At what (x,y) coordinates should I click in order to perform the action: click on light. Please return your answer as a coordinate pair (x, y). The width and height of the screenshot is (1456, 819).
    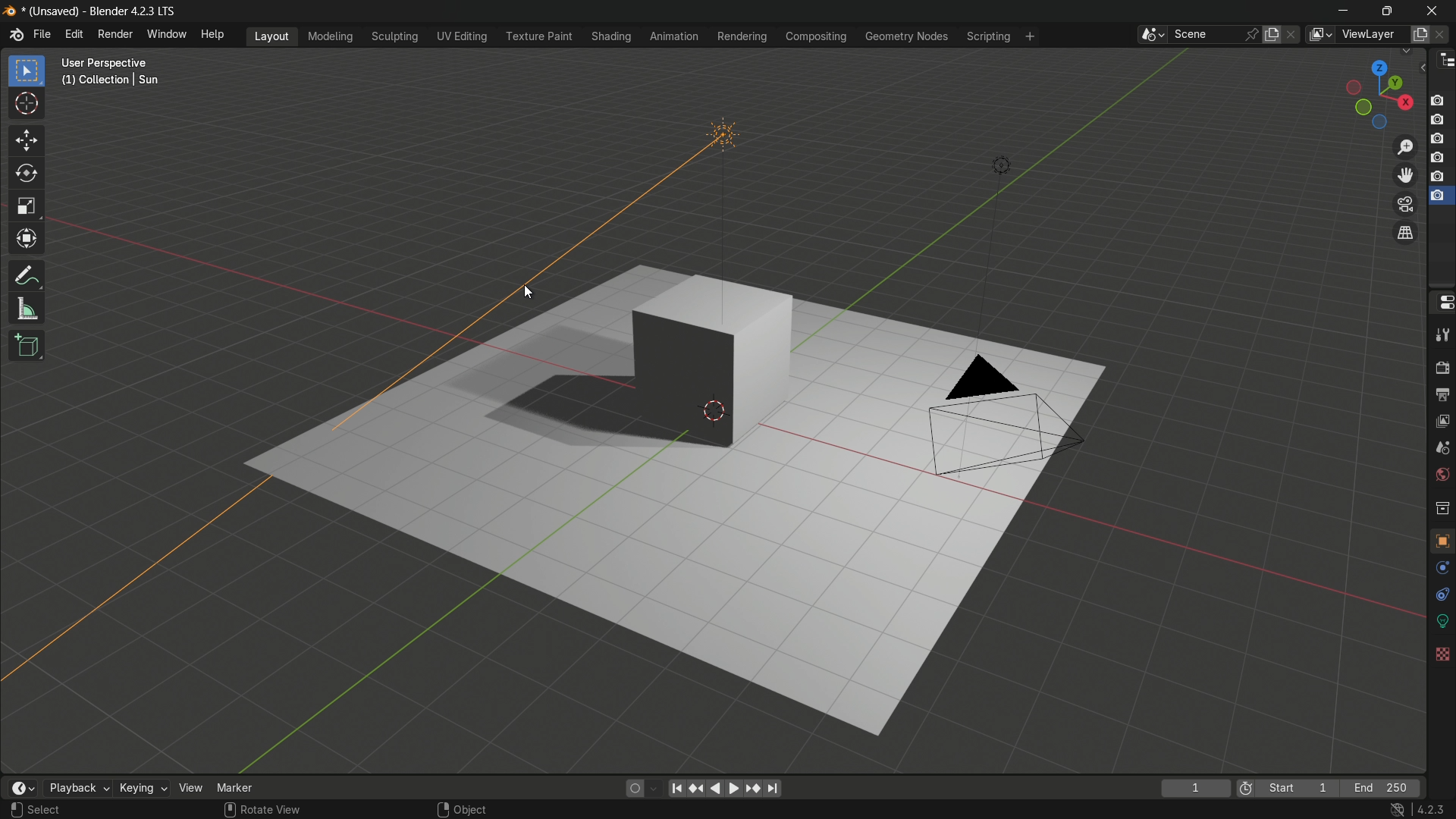
    Looking at the image, I should click on (999, 164).